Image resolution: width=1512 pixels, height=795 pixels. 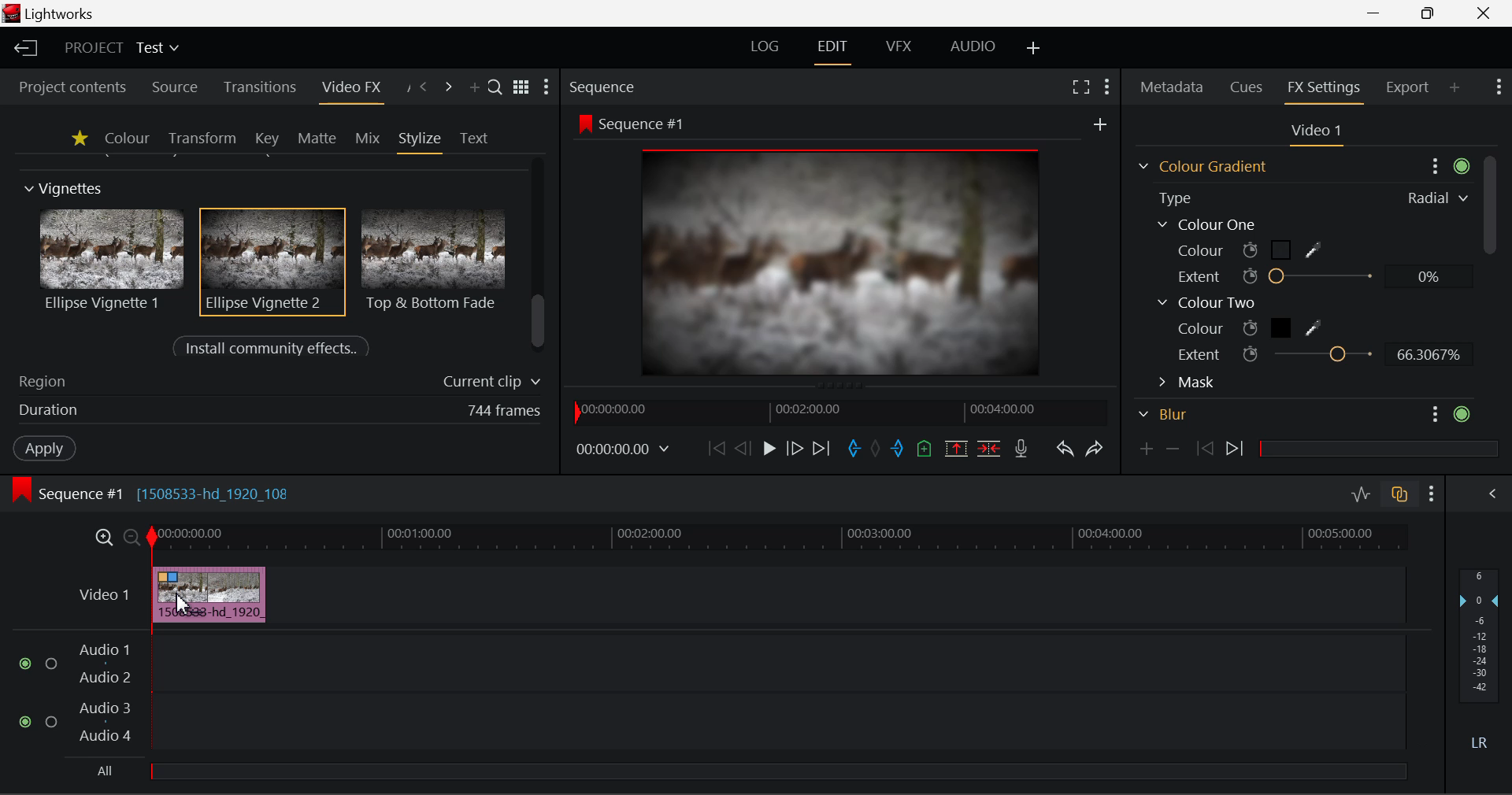 What do you see at coordinates (209, 594) in the screenshot?
I see `Effects Applied - Cursor AFTER_LAST_ACTION` at bounding box center [209, 594].